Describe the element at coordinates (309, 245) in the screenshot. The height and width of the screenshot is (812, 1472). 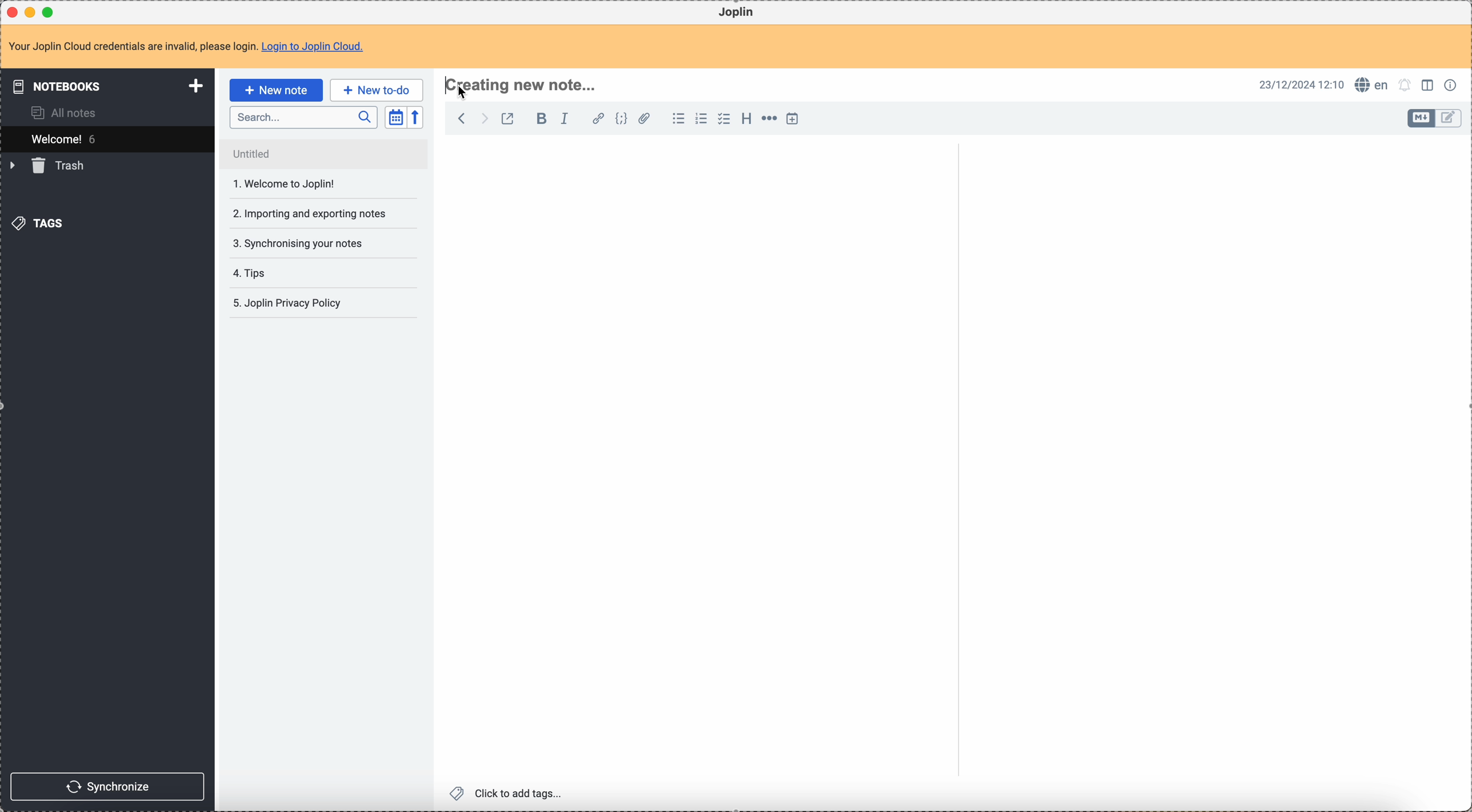
I see `tips` at that location.